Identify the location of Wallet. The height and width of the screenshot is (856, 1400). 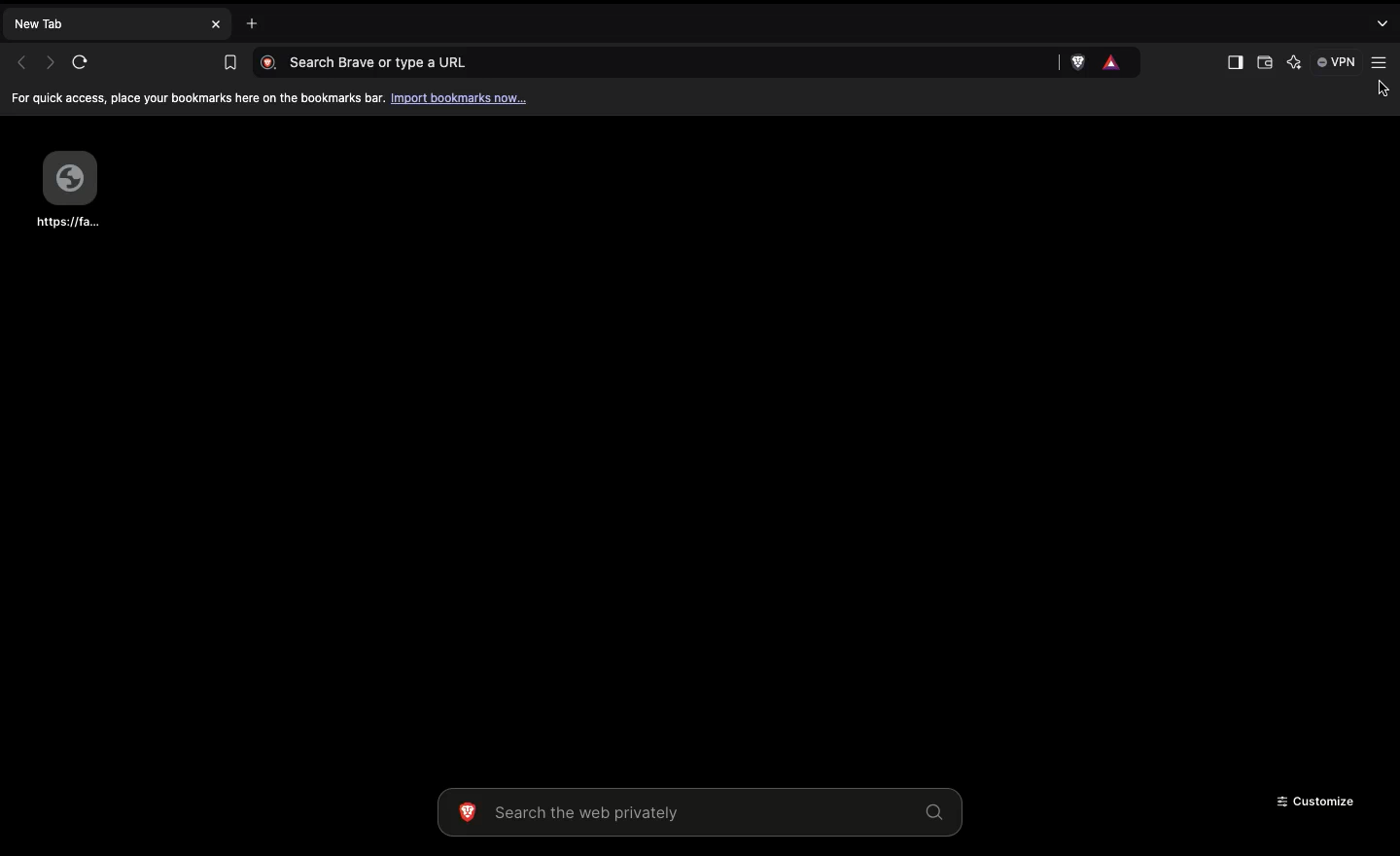
(1263, 64).